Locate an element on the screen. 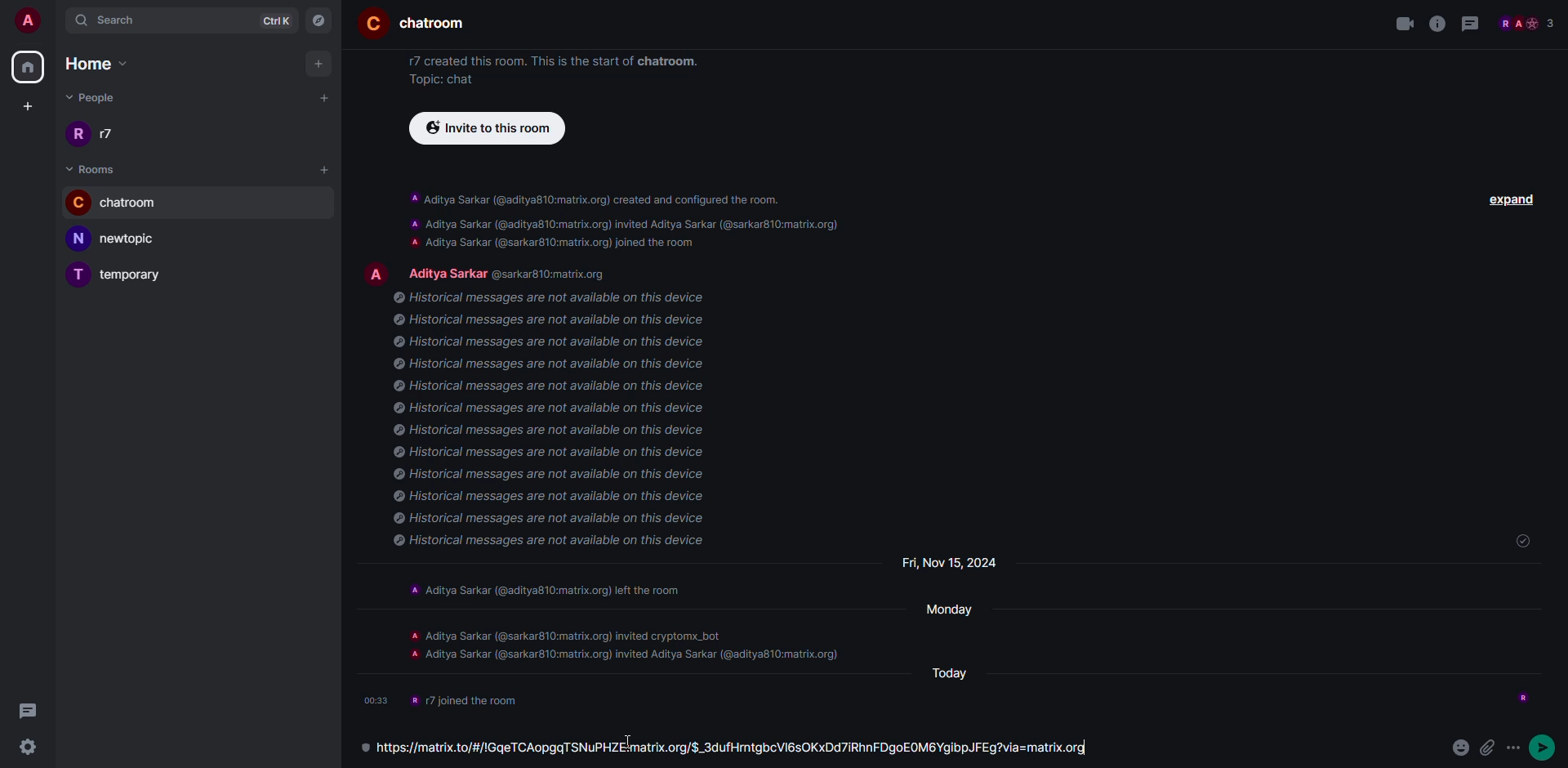  navigator is located at coordinates (318, 19).